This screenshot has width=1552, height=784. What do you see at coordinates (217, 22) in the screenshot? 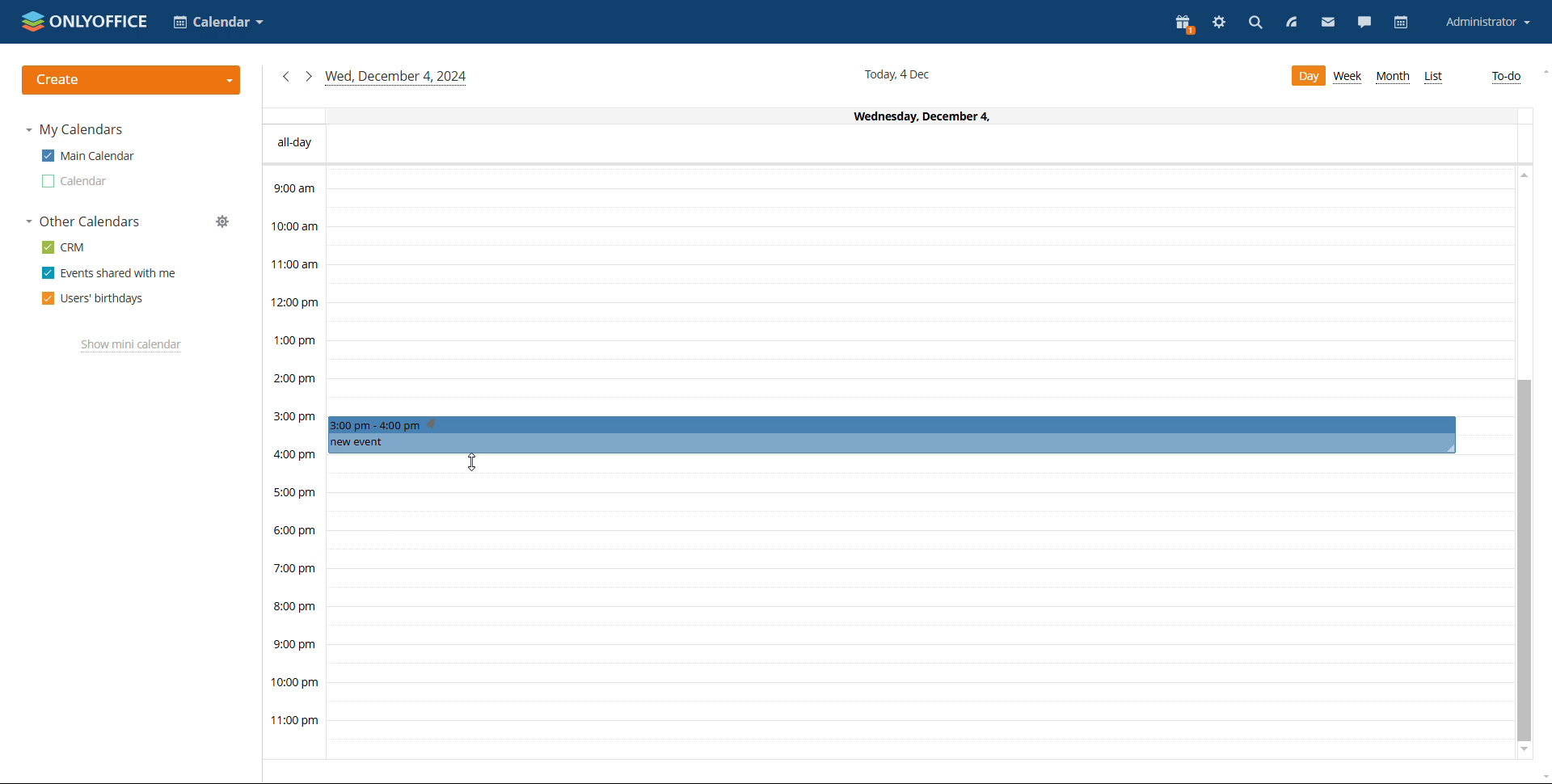
I see `select application` at bounding box center [217, 22].